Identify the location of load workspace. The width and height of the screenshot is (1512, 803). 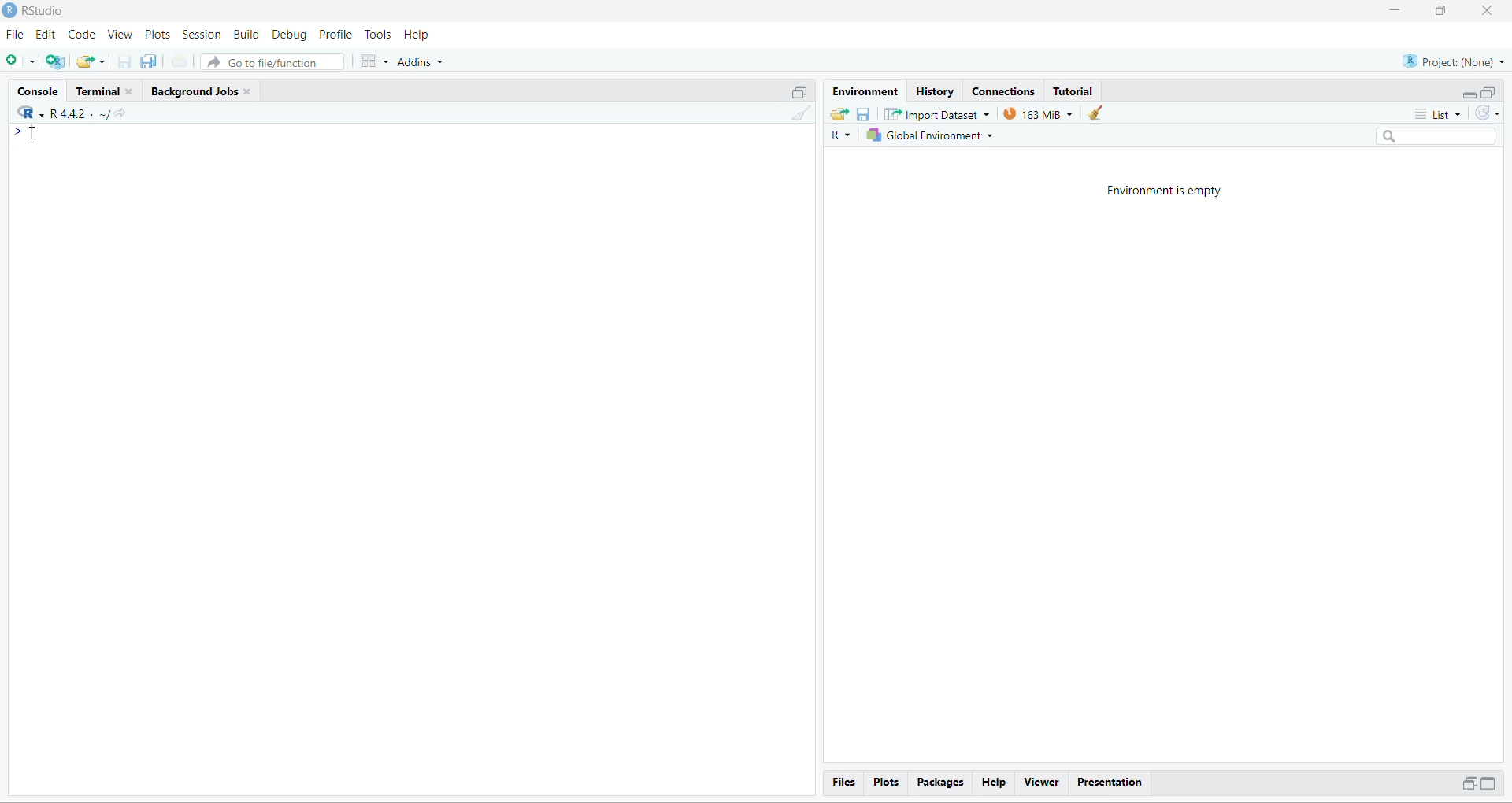
(838, 113).